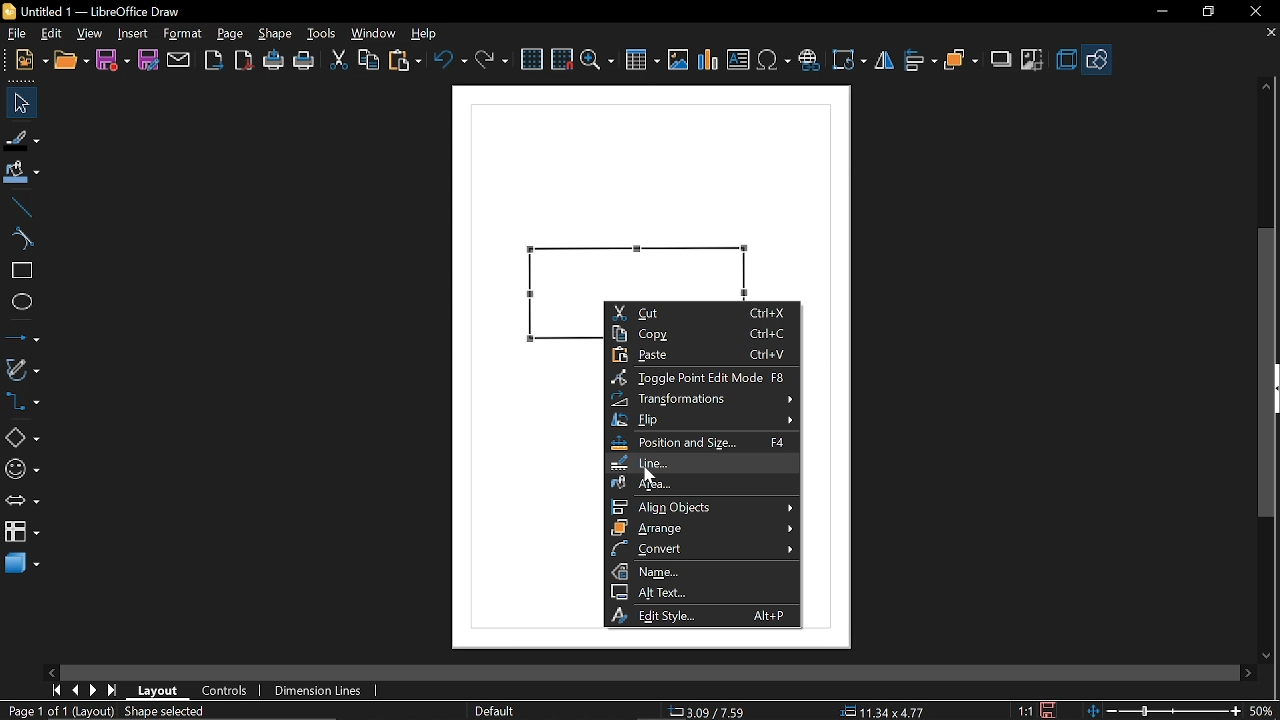 The image size is (1280, 720). What do you see at coordinates (54, 691) in the screenshot?
I see `go to first page` at bounding box center [54, 691].